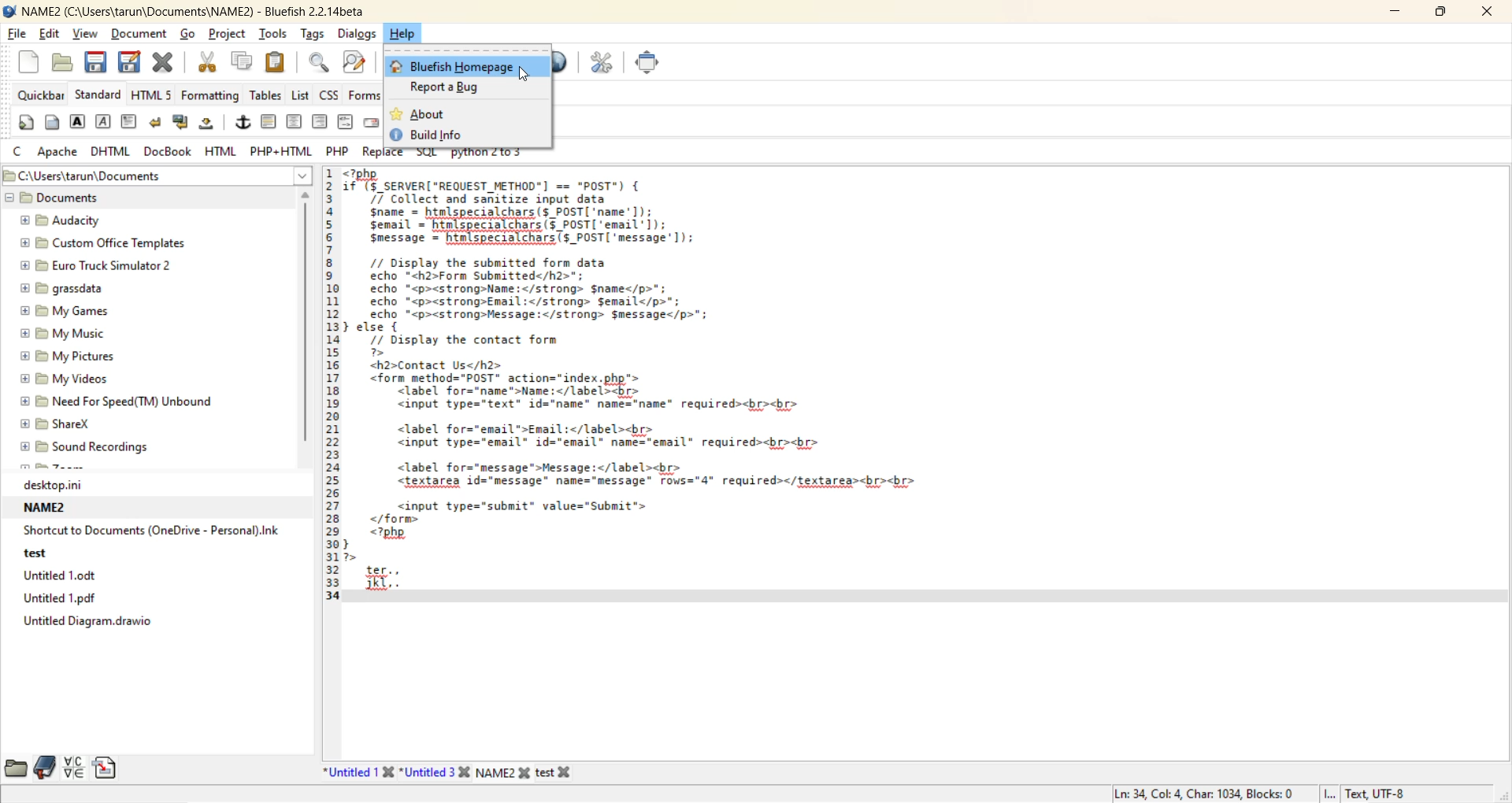 The height and width of the screenshot is (803, 1512). What do you see at coordinates (110, 402) in the screenshot?
I see `Need For Speed(TM) Unbound` at bounding box center [110, 402].